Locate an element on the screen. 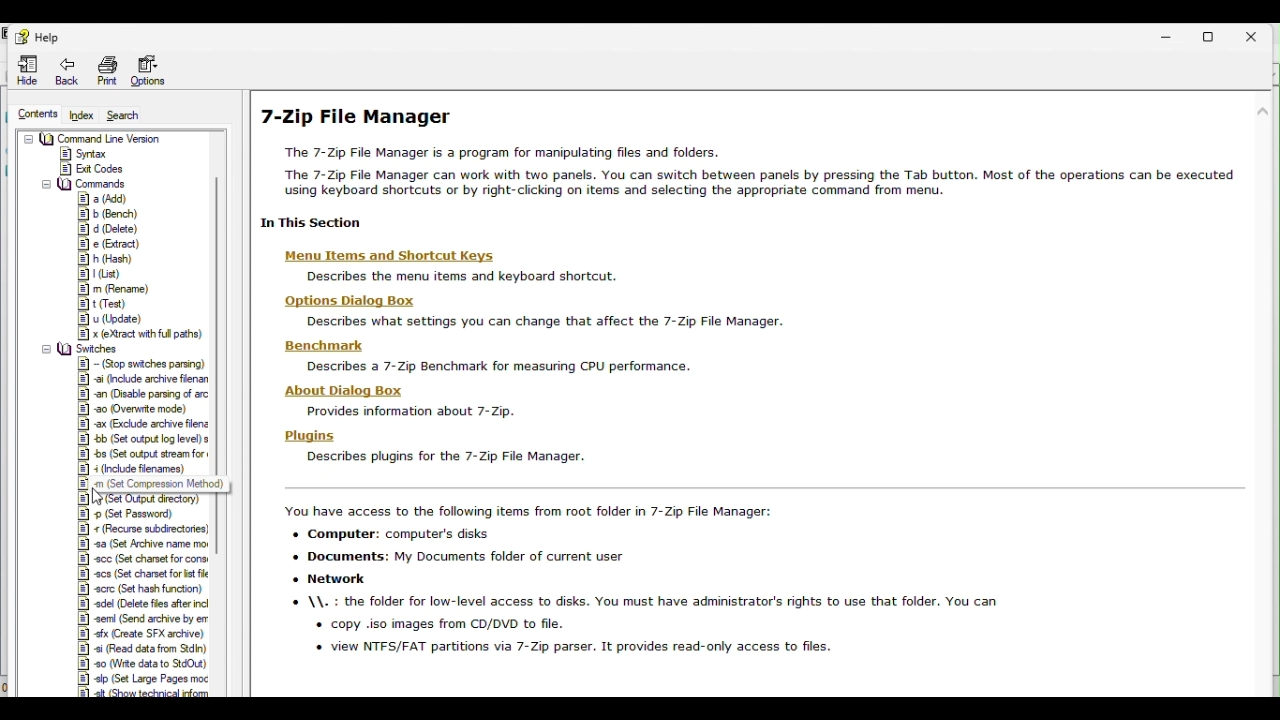  7 zip file manager help page is located at coordinates (755, 163).